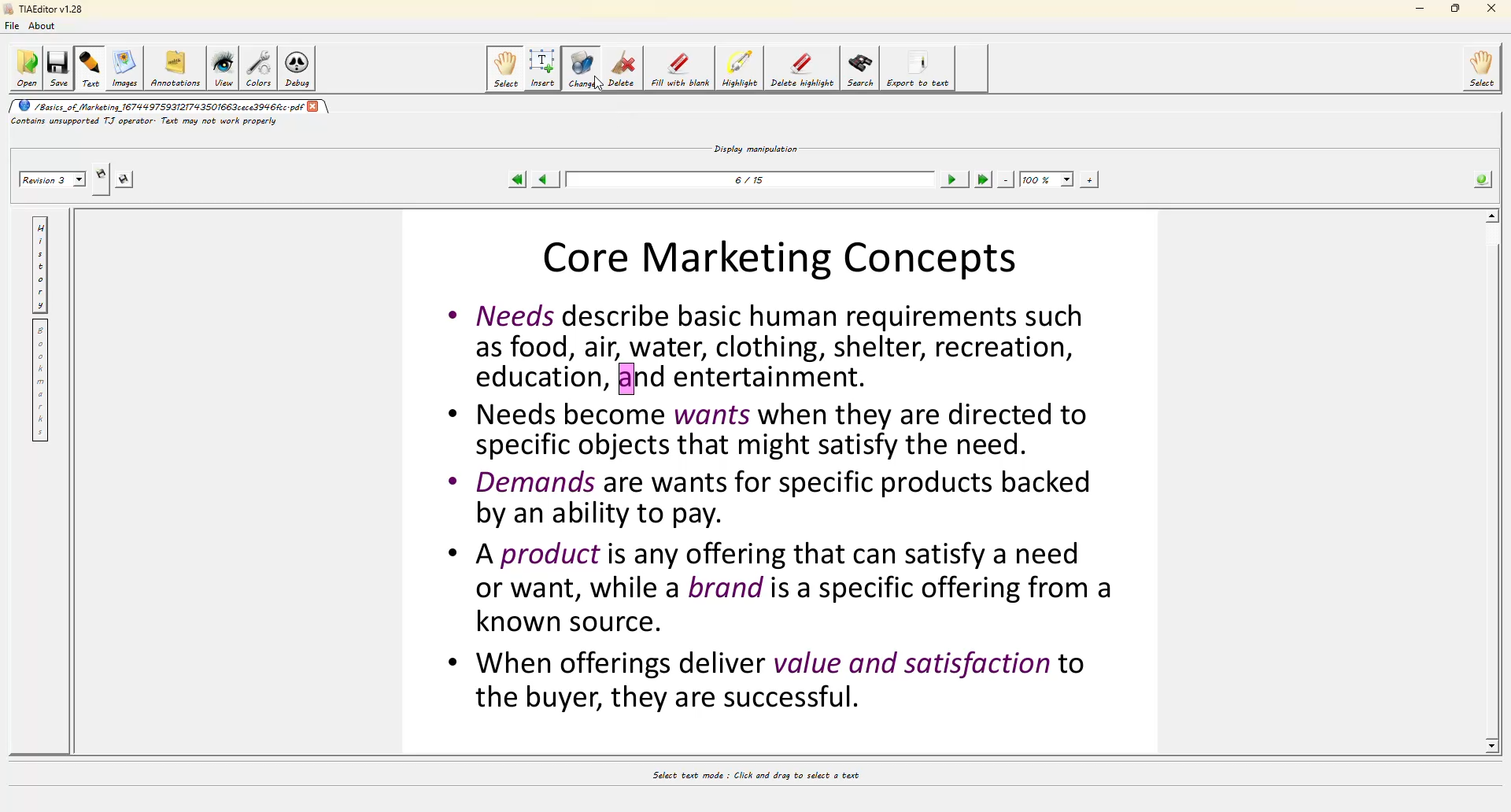  Describe the element at coordinates (54, 180) in the screenshot. I see `revision 2` at that location.